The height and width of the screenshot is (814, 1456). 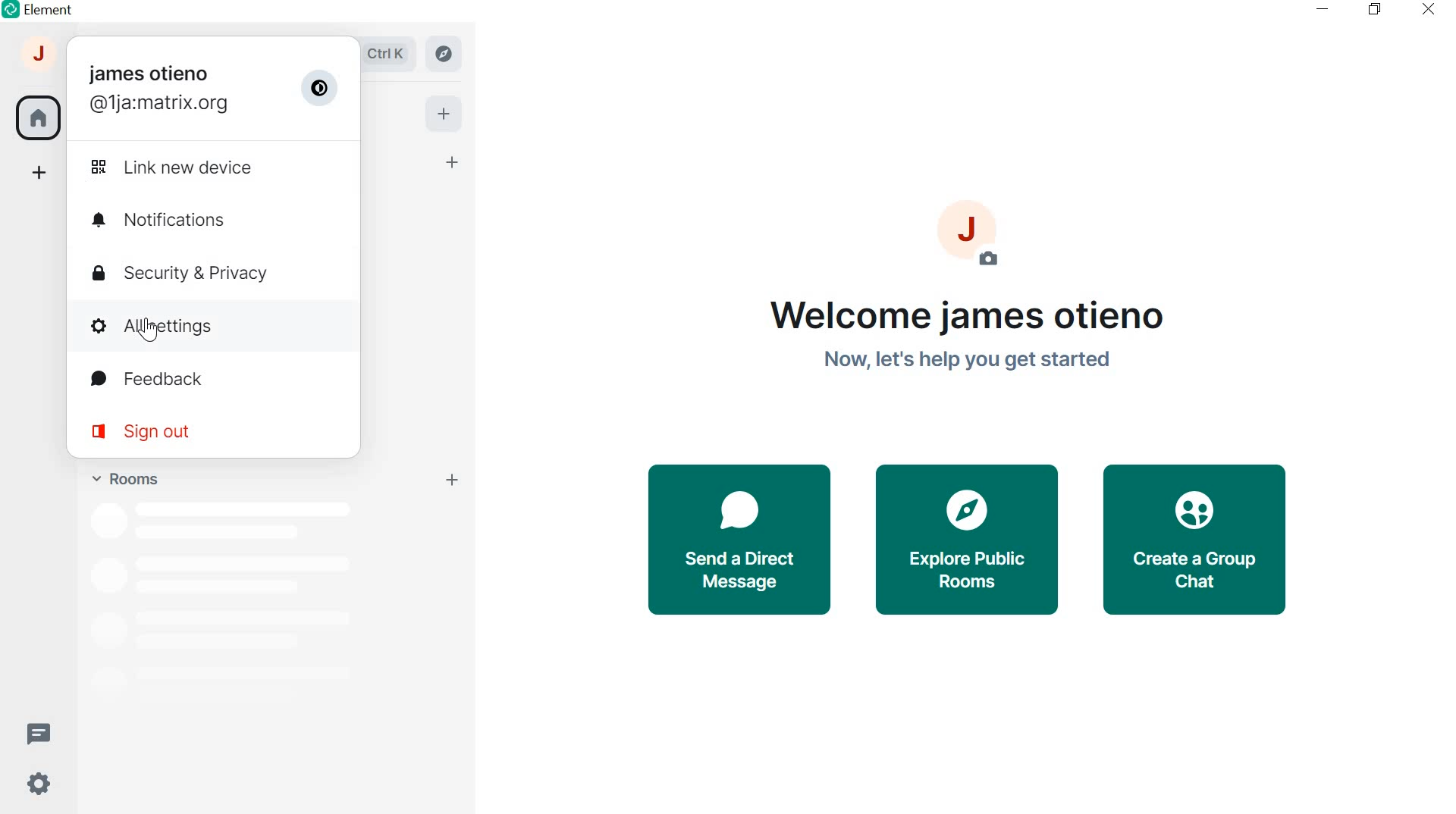 I want to click on SEARCH, so click(x=393, y=54).